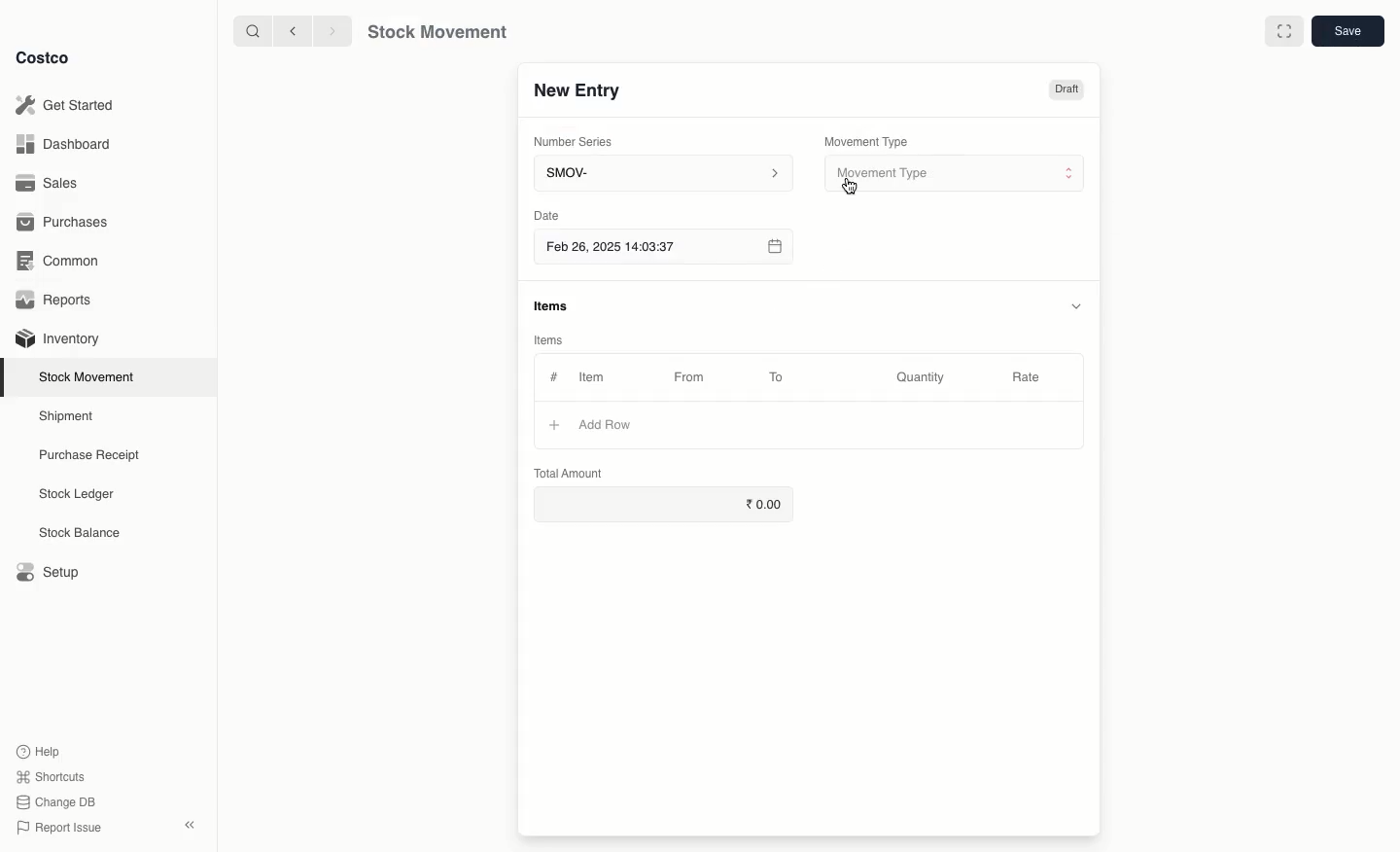 This screenshot has height=852, width=1400. What do you see at coordinates (1074, 305) in the screenshot?
I see `hide` at bounding box center [1074, 305].